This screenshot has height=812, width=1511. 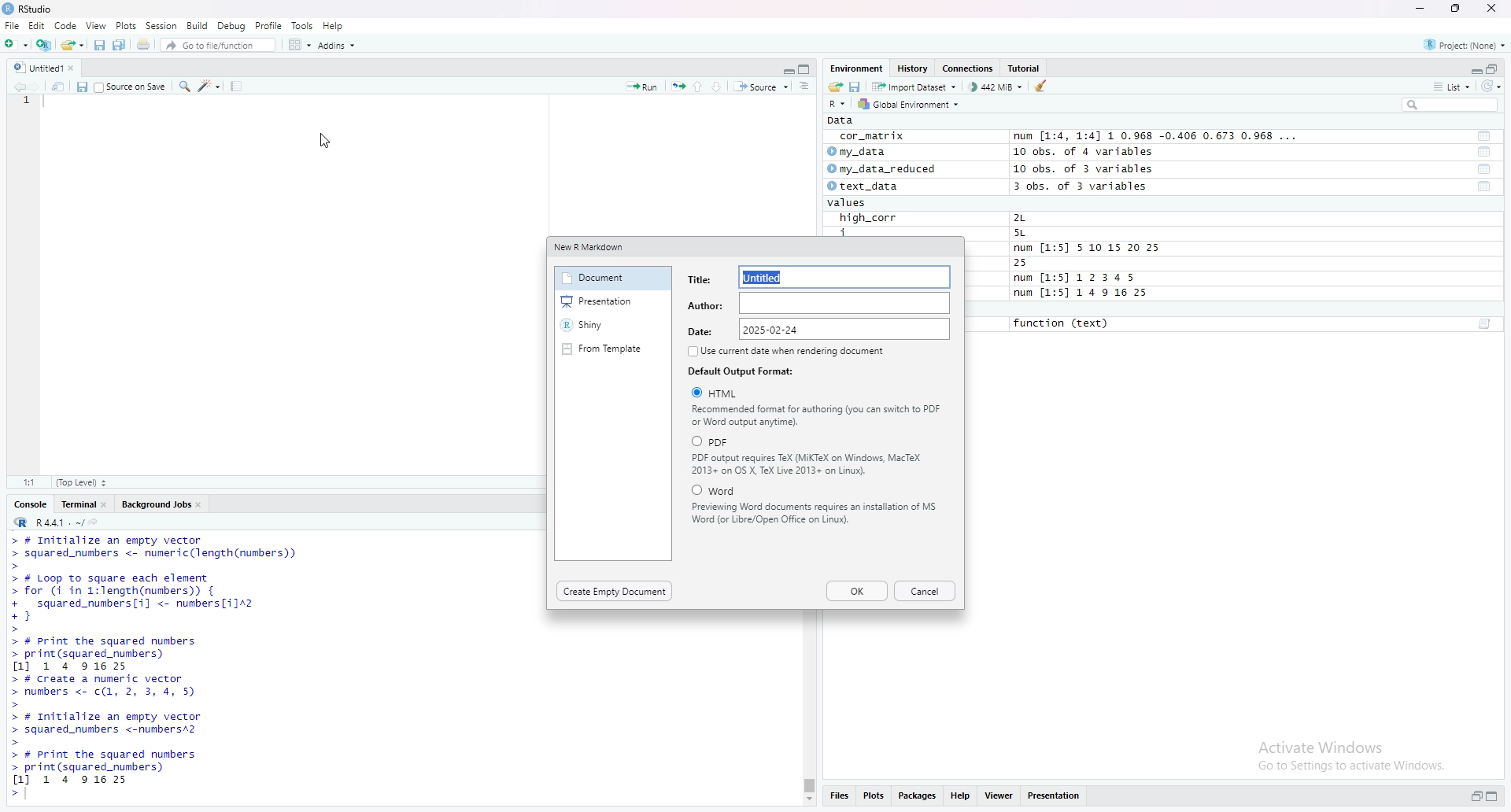 I want to click on Shiny, so click(x=610, y=326).